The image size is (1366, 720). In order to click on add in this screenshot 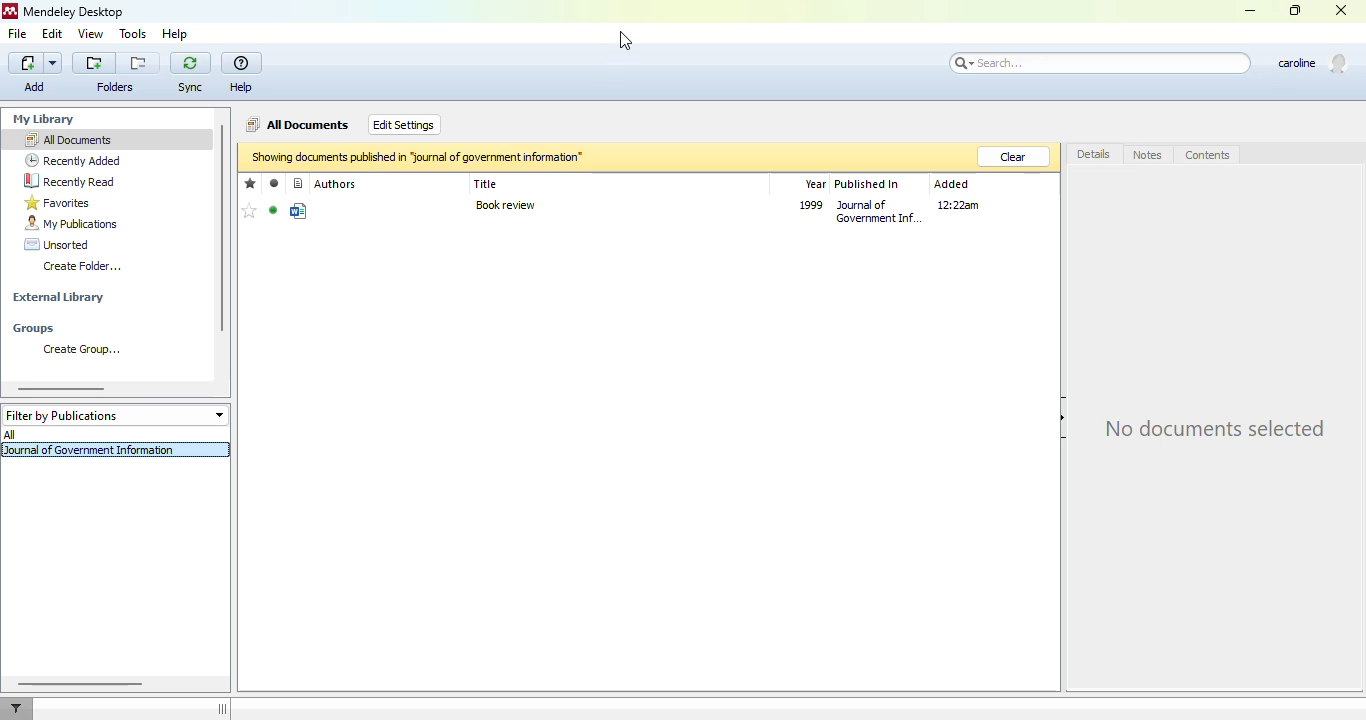, I will do `click(36, 73)`.